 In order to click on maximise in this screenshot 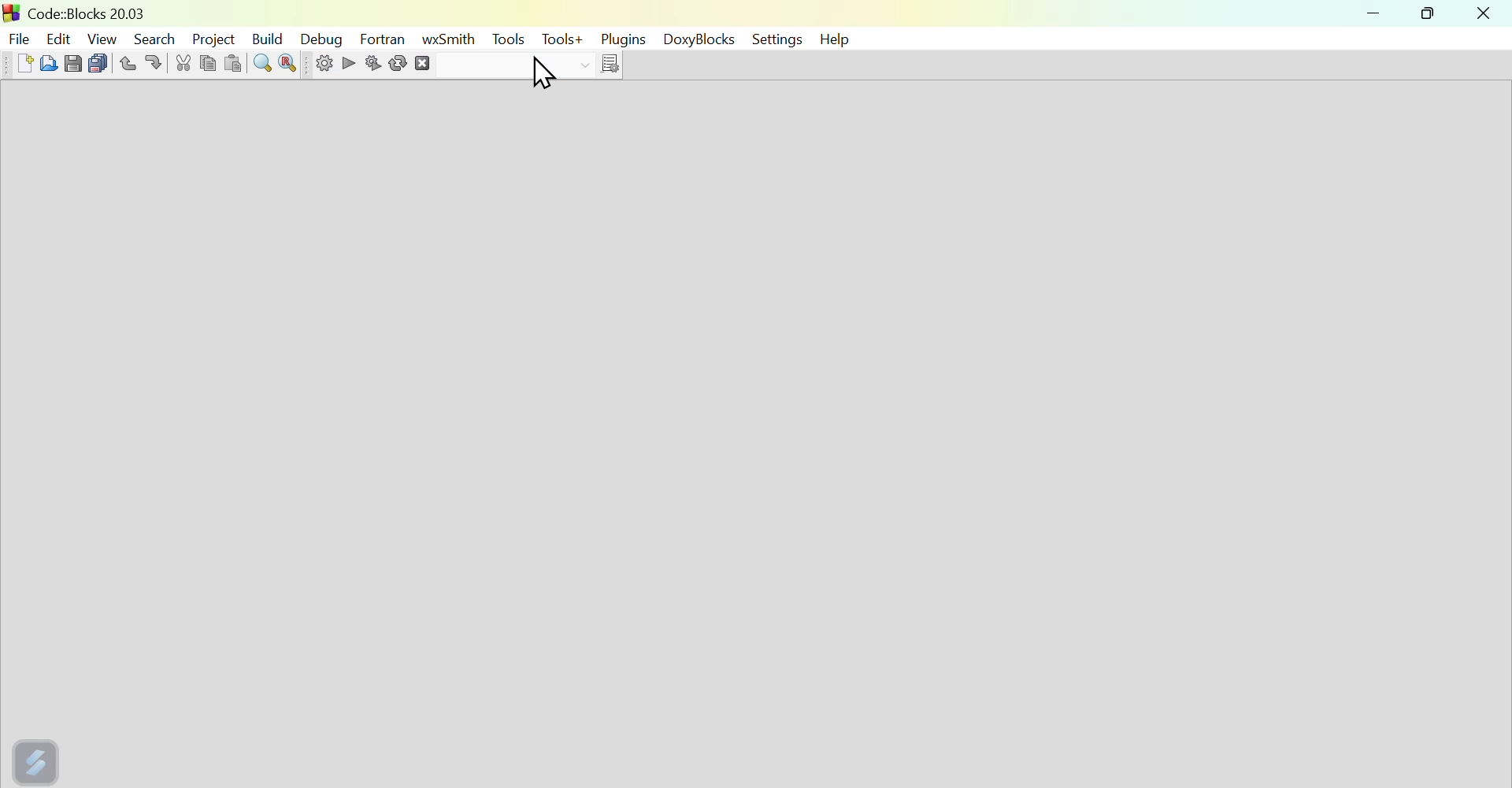, I will do `click(1432, 16)`.